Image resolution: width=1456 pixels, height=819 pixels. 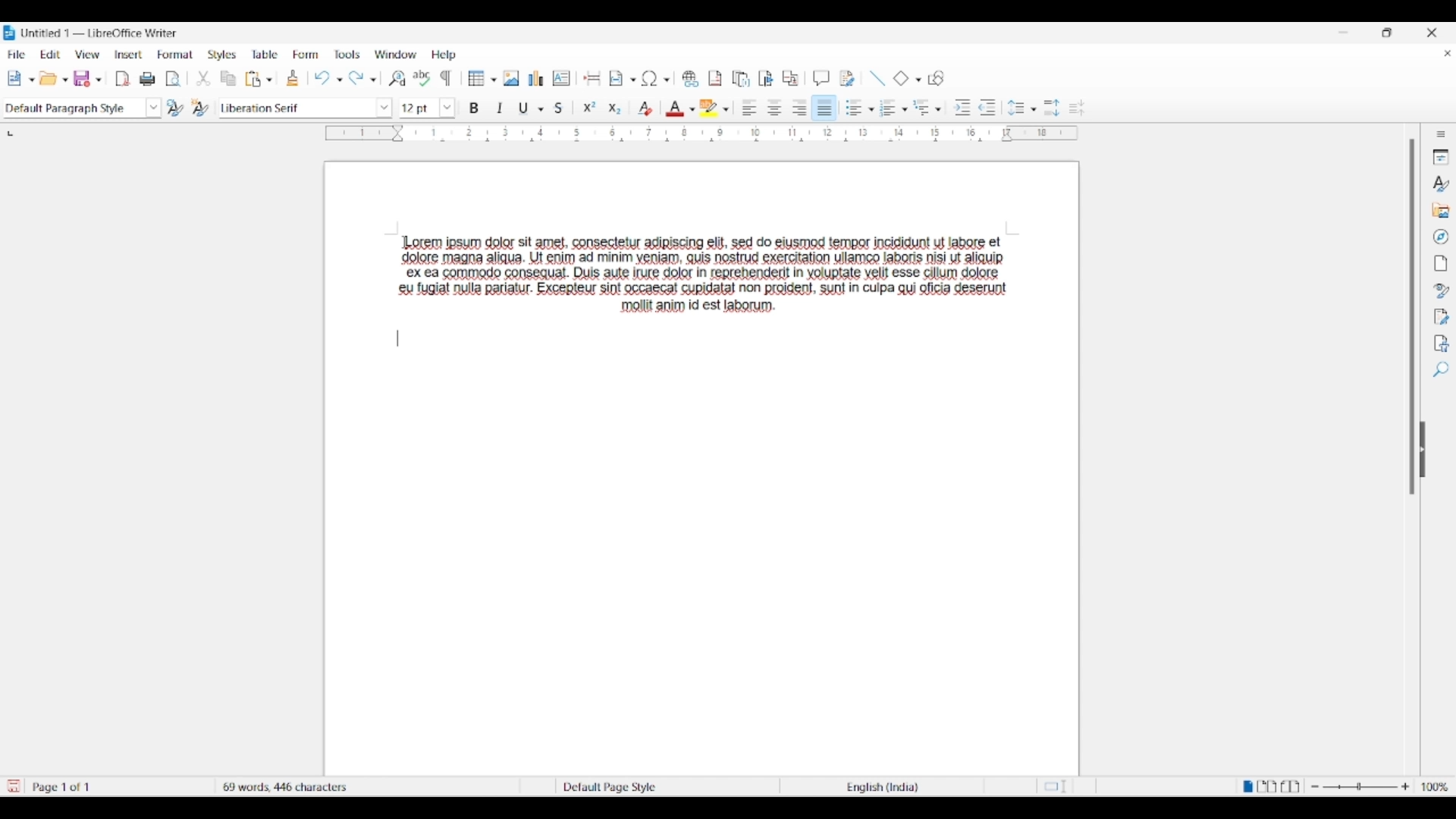 What do you see at coordinates (675, 108) in the screenshot?
I see `Selected color for font` at bounding box center [675, 108].